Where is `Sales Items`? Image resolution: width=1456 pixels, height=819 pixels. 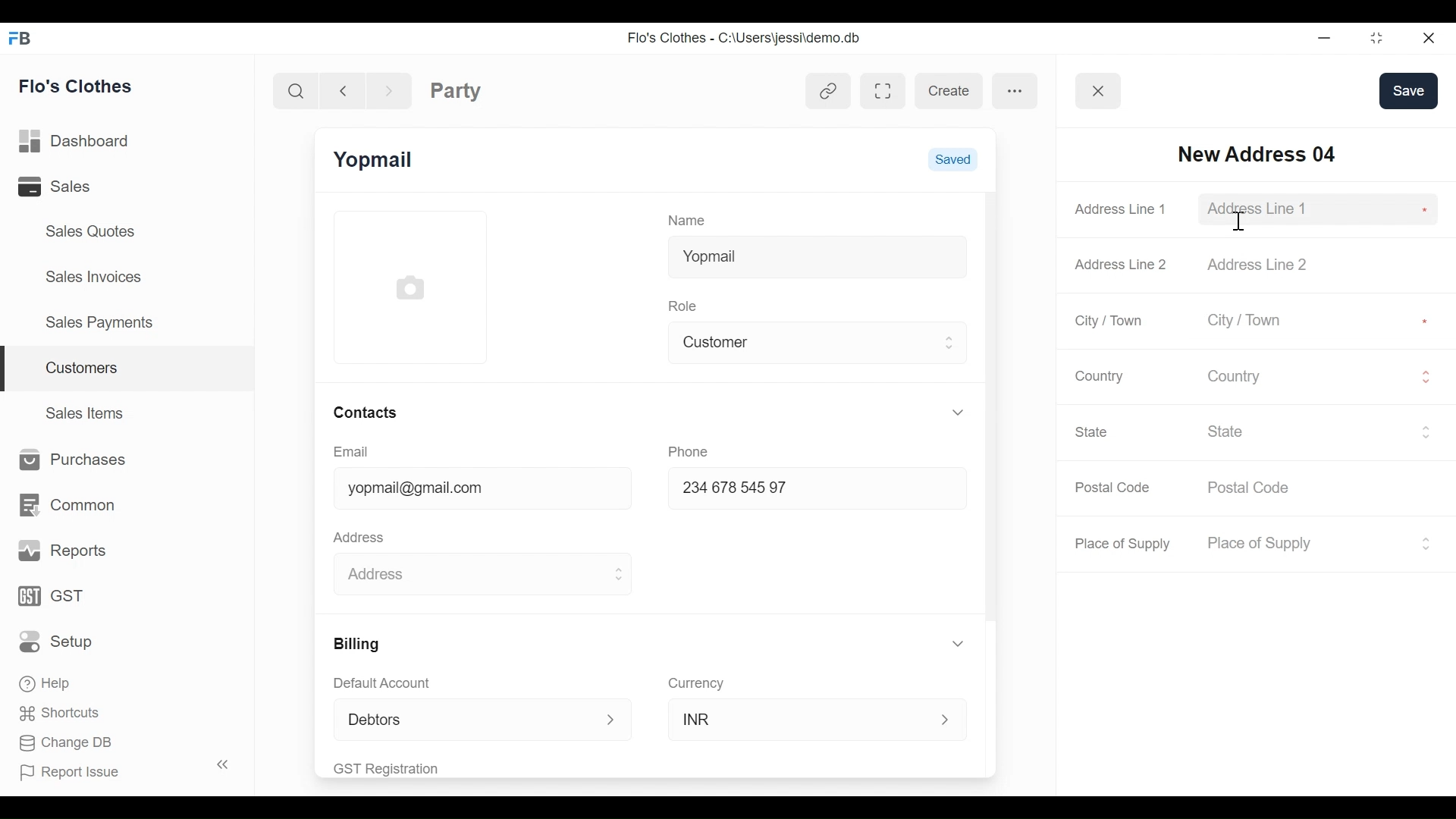 Sales Items is located at coordinates (86, 411).